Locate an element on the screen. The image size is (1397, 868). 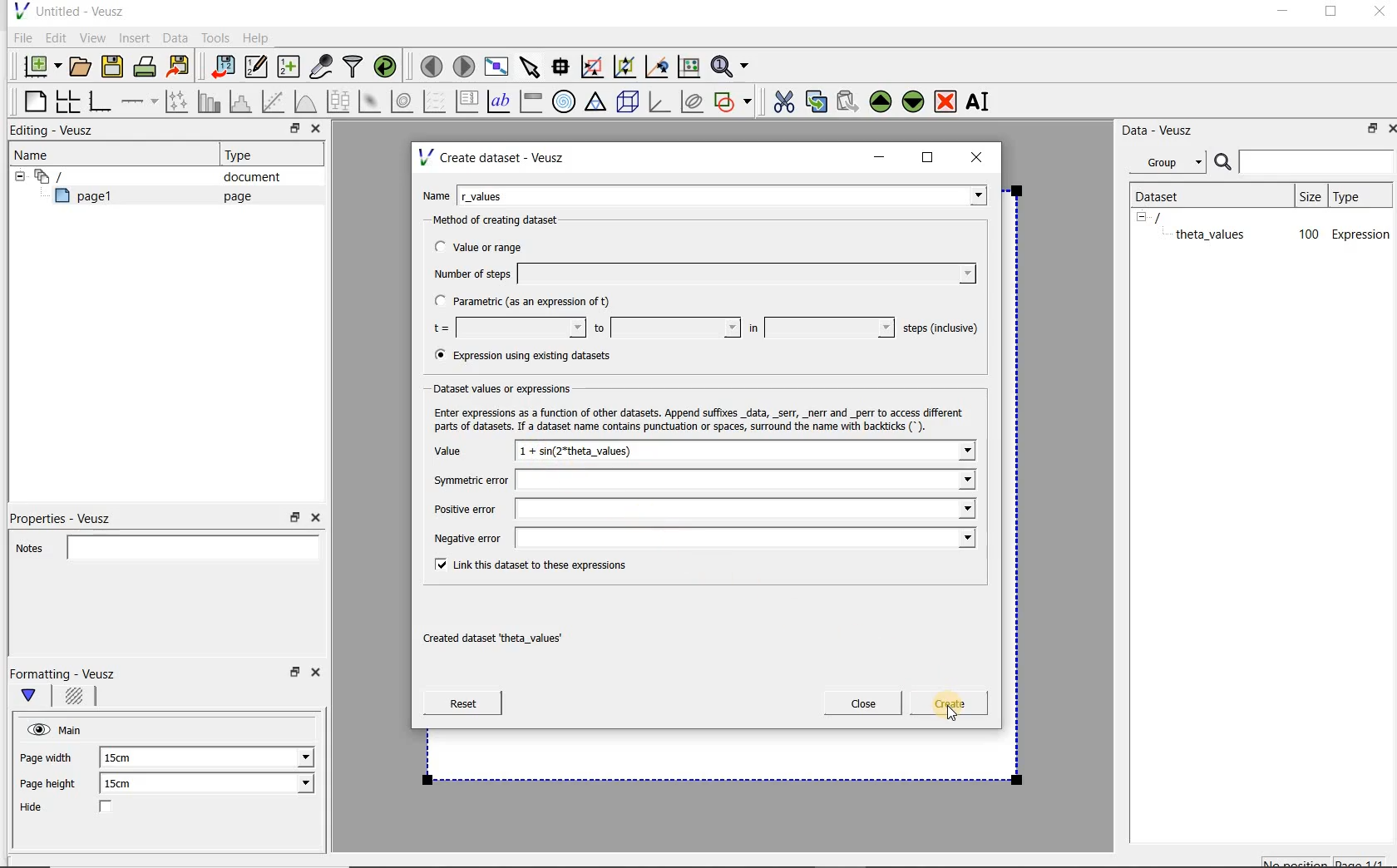
t=  is located at coordinates (506, 328).